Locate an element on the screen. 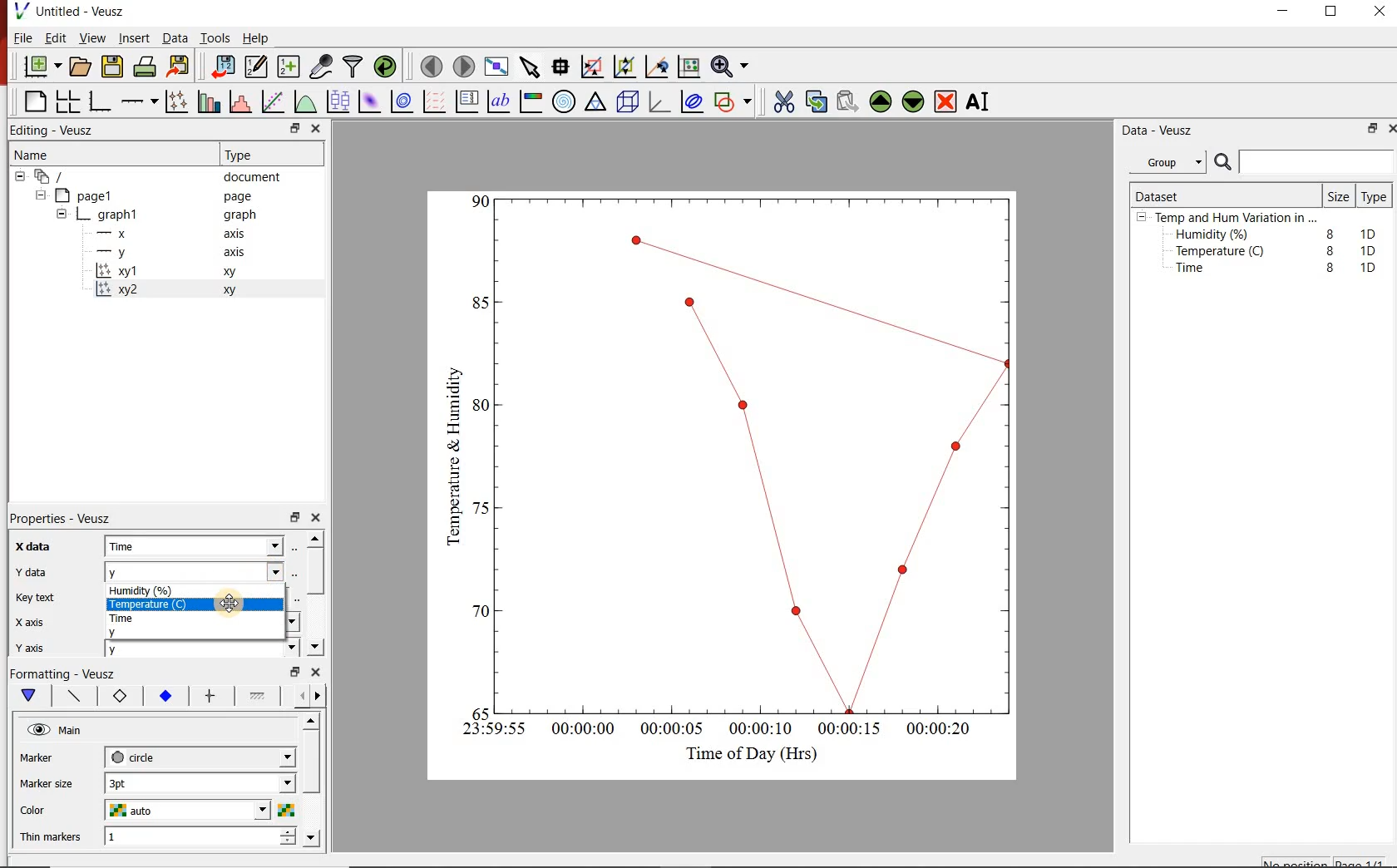  Select using dataset browser is located at coordinates (300, 547).